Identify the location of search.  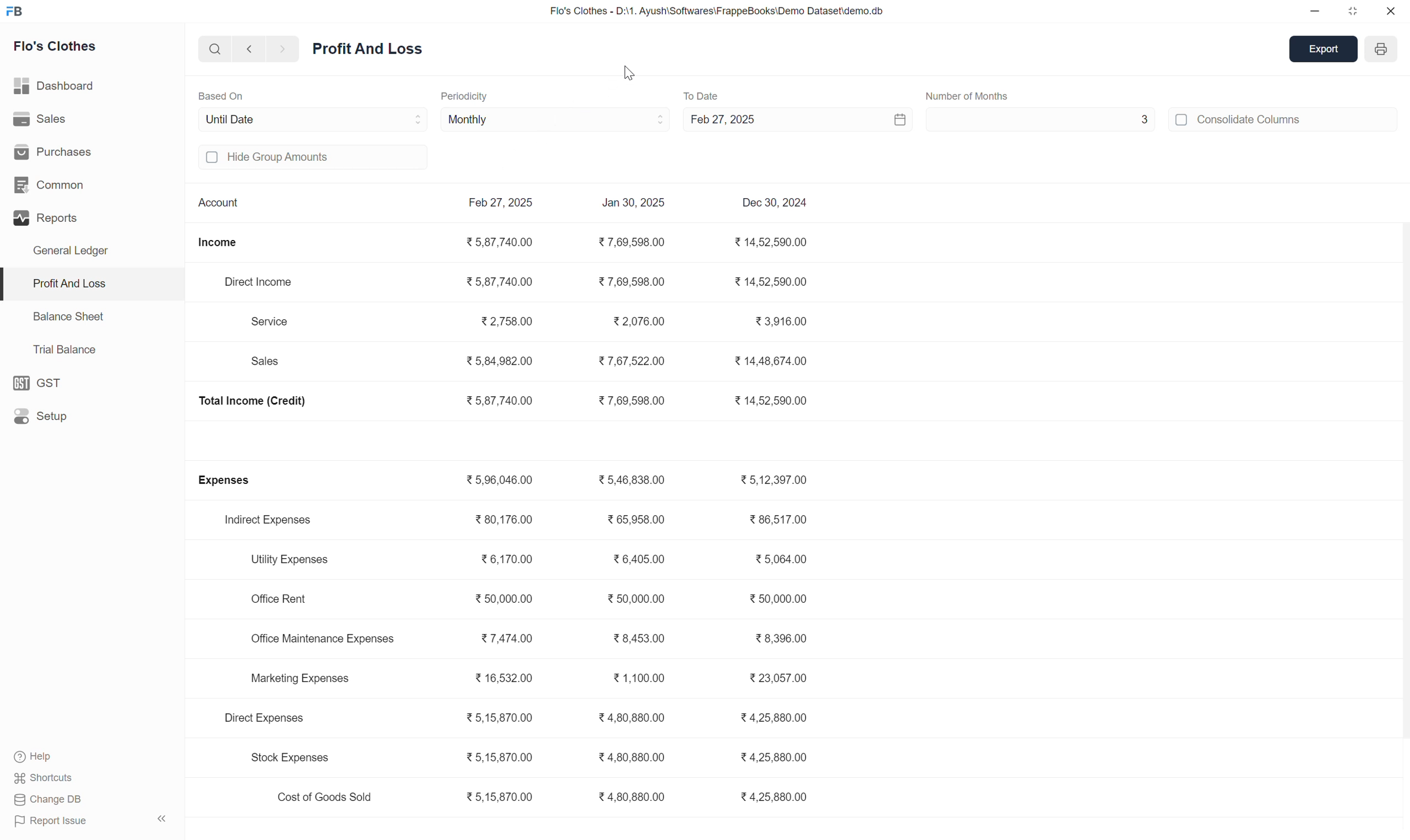
(212, 49).